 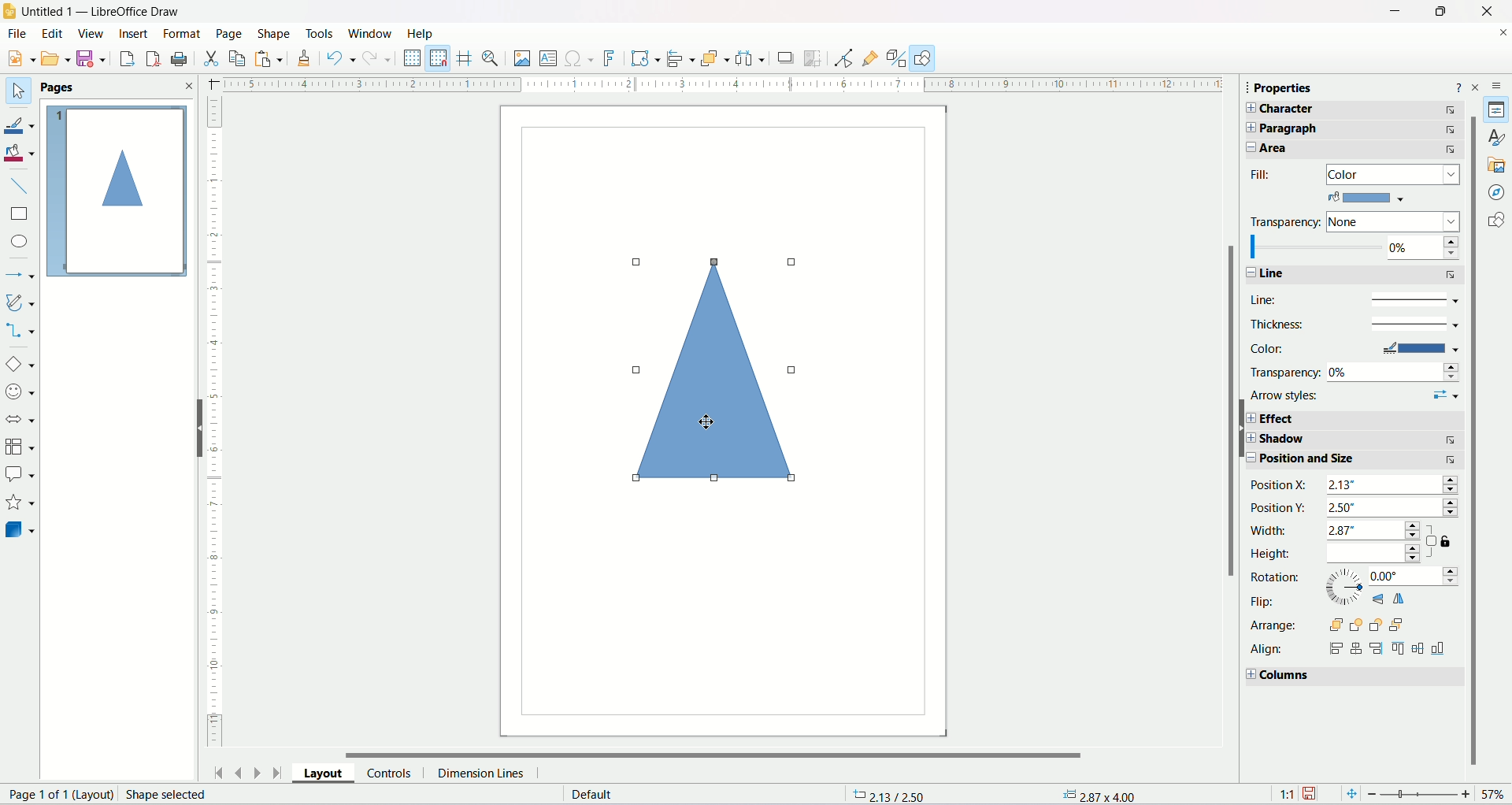 I want to click on Help about sidebar deck, so click(x=1458, y=87).